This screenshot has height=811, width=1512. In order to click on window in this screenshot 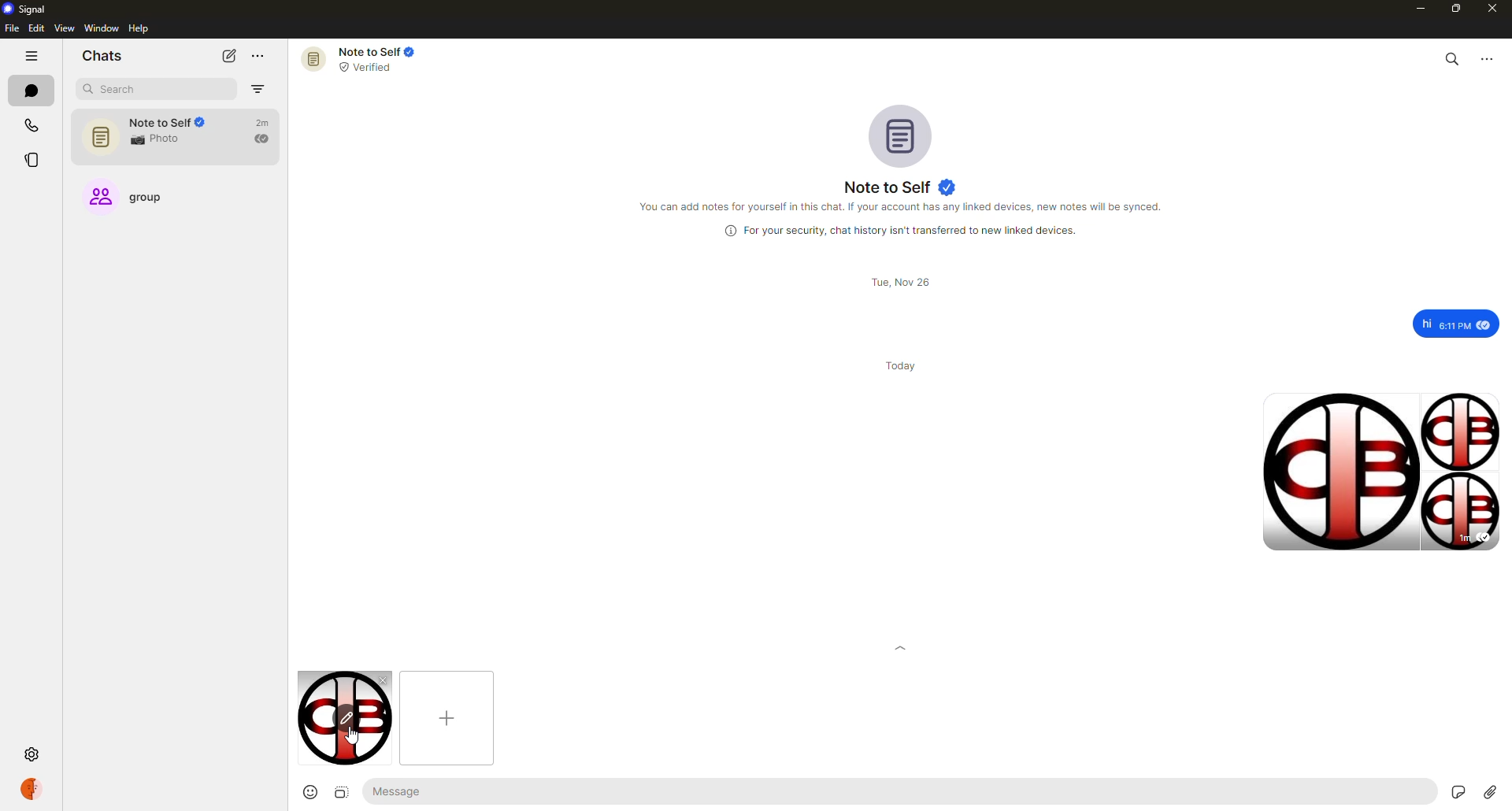, I will do `click(102, 29)`.